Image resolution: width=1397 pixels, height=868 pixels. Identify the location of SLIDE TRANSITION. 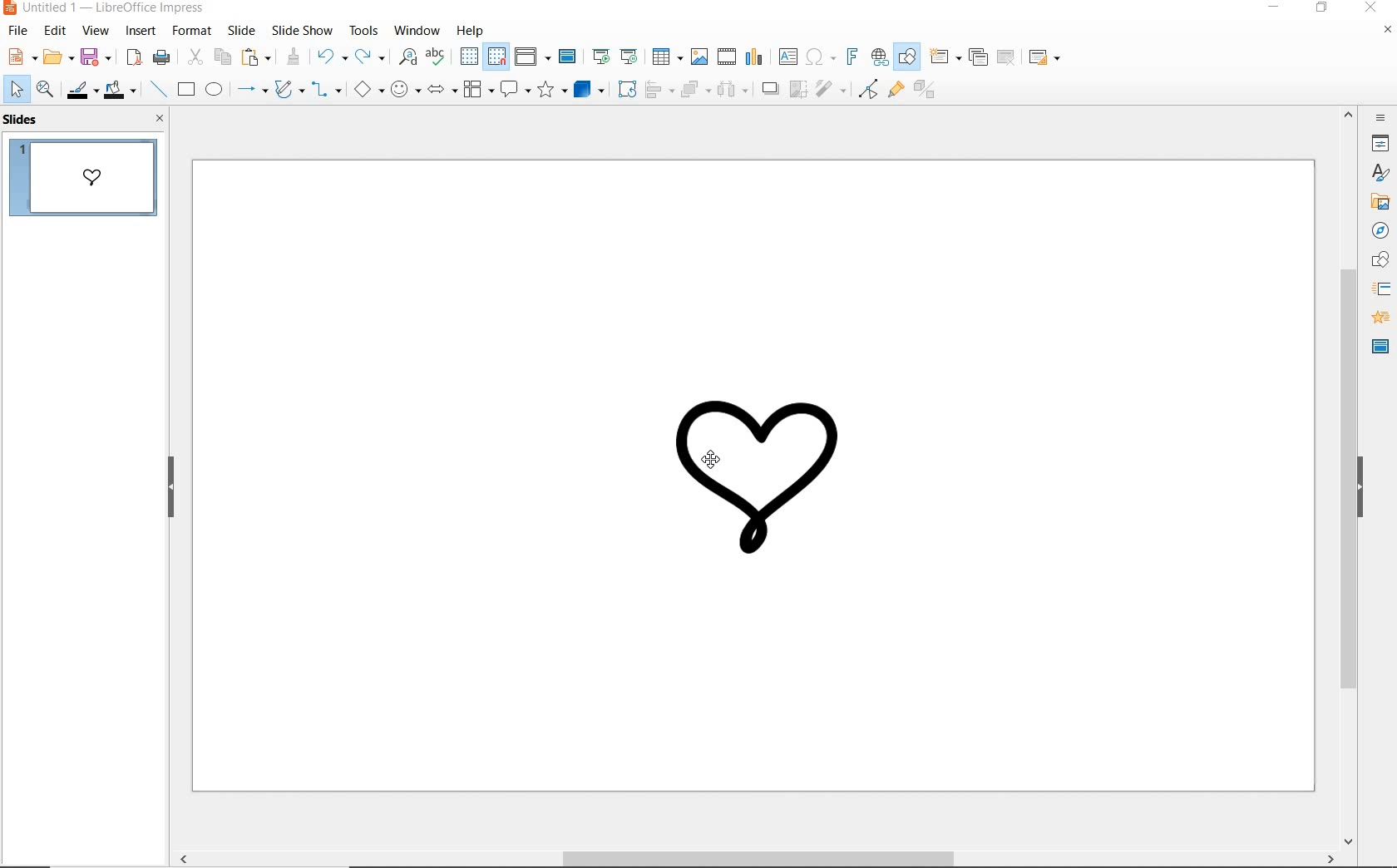
(1381, 289).